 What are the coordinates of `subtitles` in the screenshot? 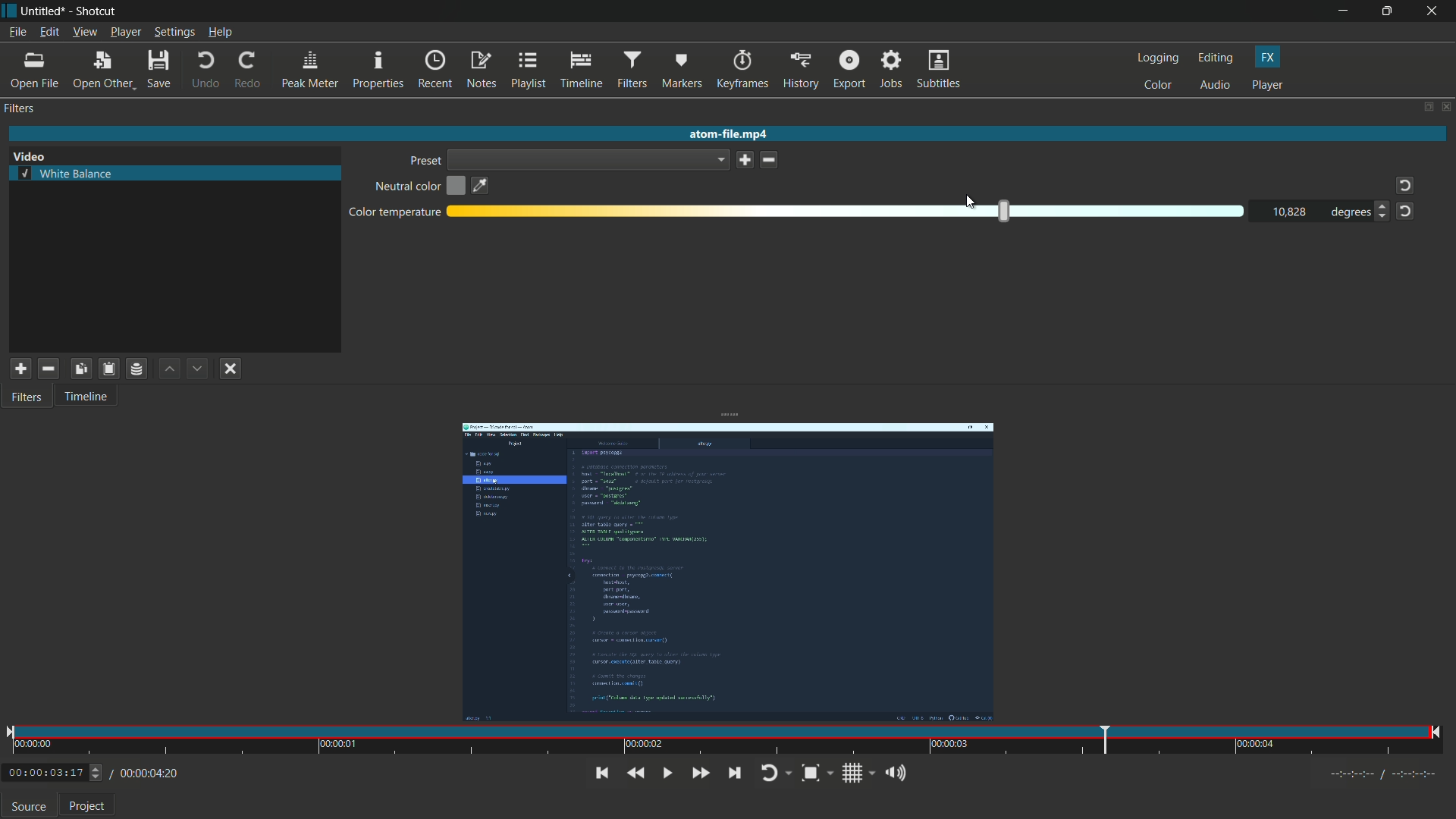 It's located at (939, 68).